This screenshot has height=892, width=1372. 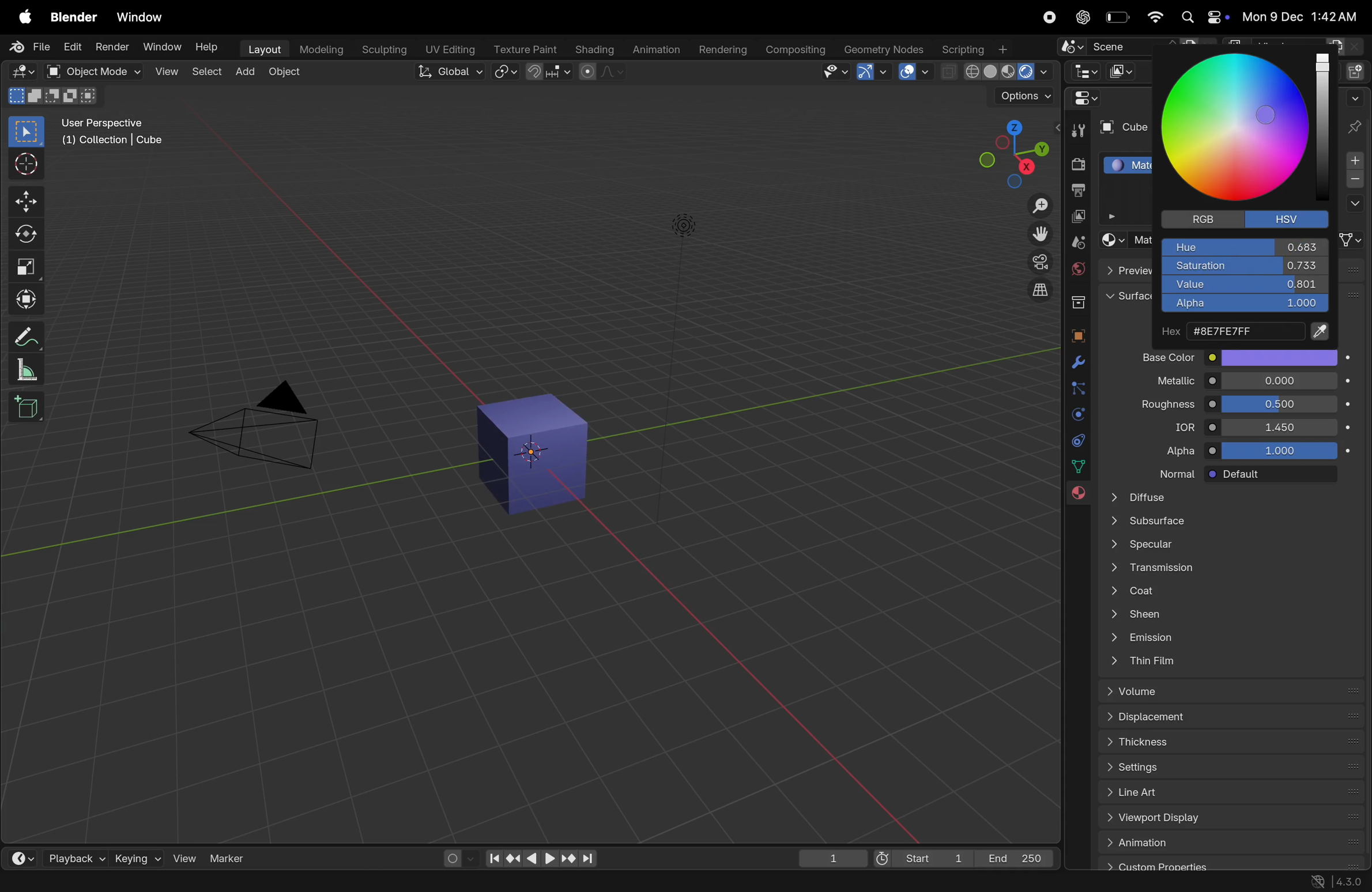 What do you see at coordinates (835, 71) in the screenshot?
I see `visibility` at bounding box center [835, 71].